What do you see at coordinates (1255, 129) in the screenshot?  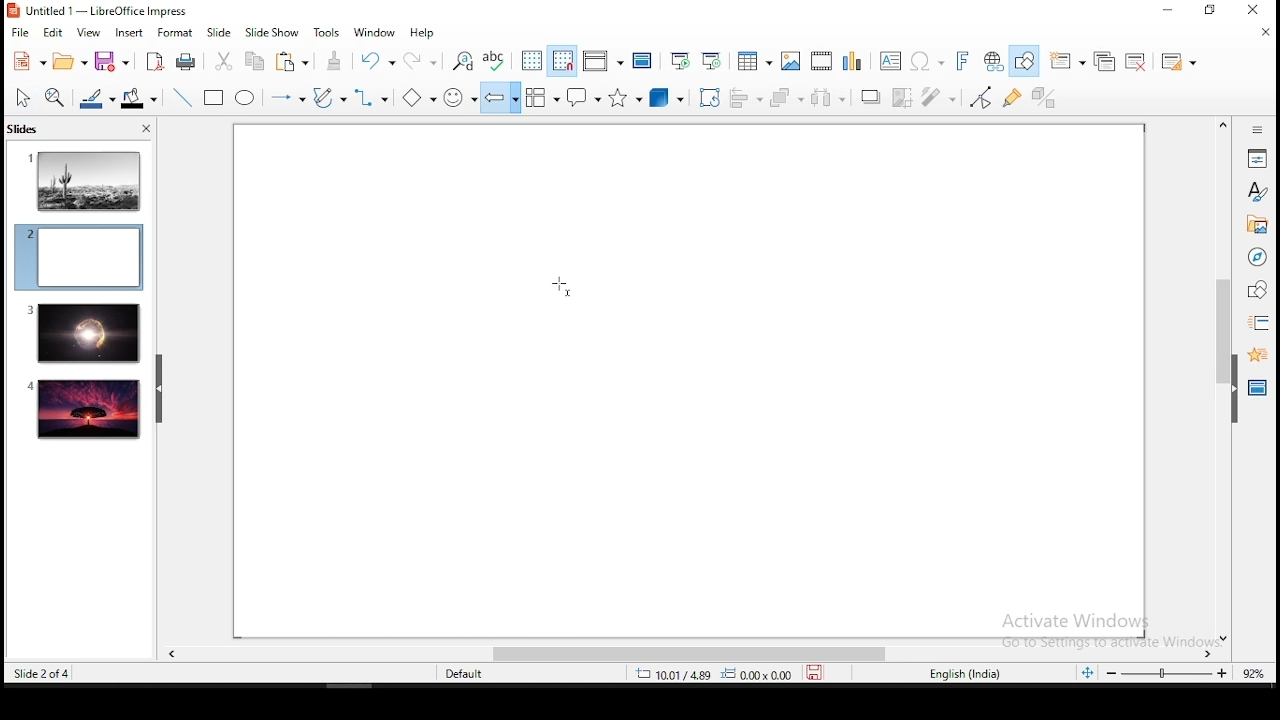 I see `` at bounding box center [1255, 129].